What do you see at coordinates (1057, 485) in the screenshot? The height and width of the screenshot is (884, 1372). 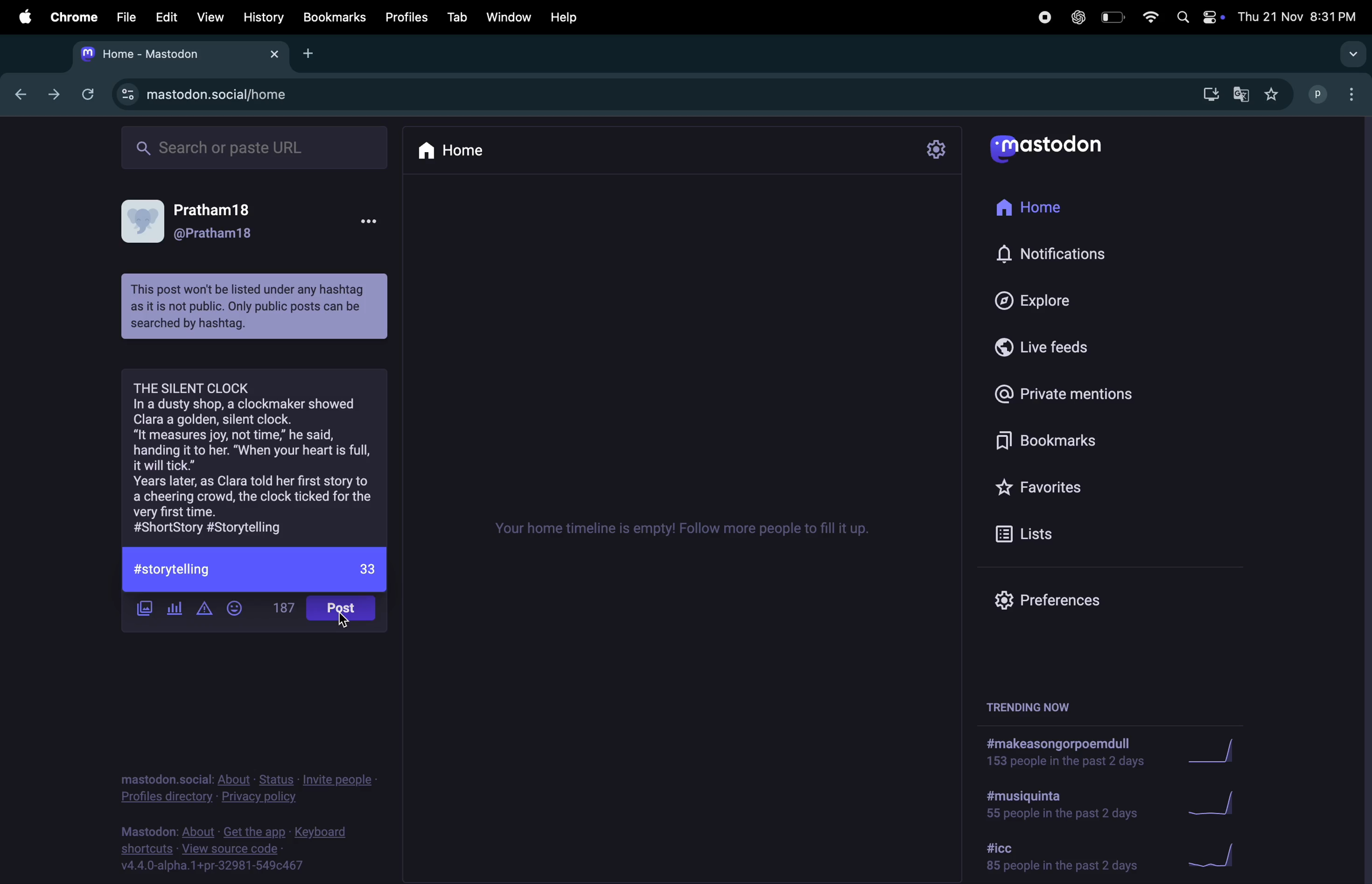 I see `favourites` at bounding box center [1057, 485].